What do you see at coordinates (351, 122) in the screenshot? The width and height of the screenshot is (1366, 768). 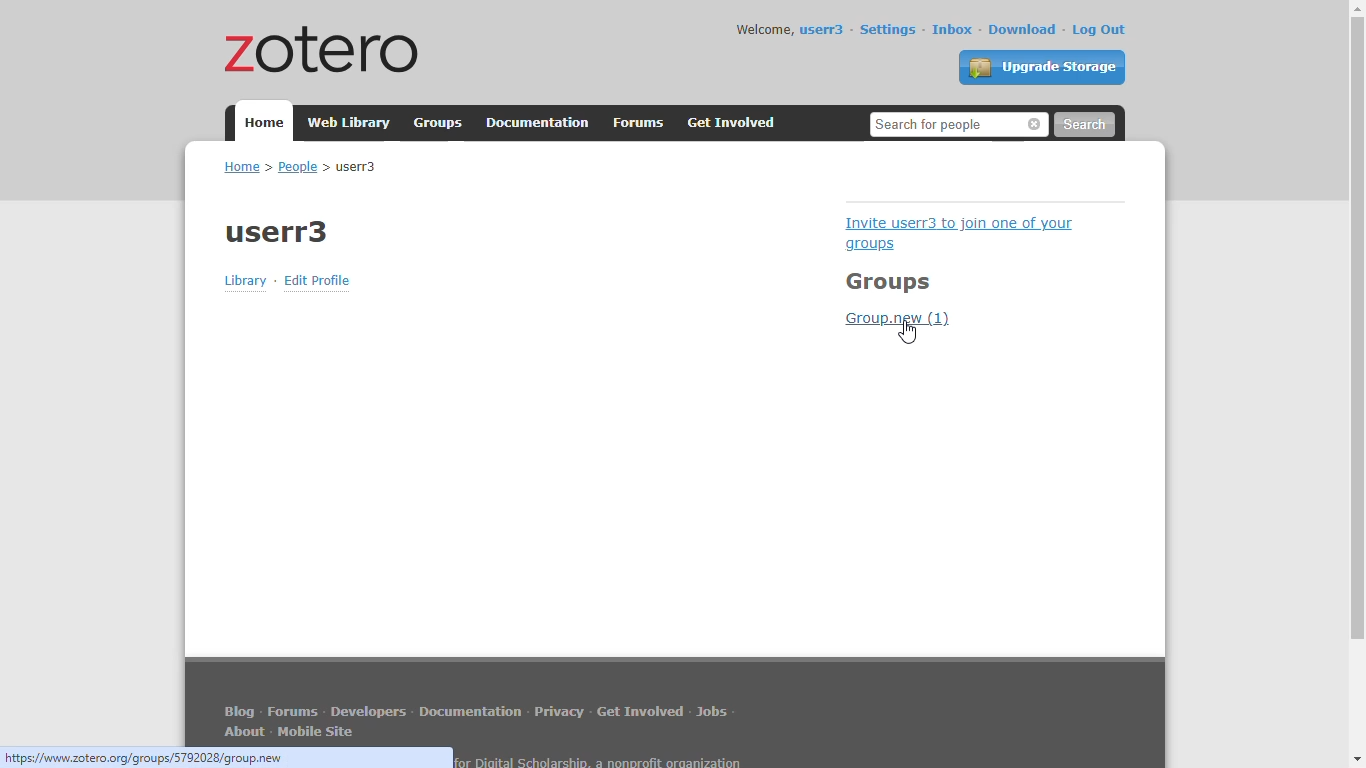 I see `web library` at bounding box center [351, 122].